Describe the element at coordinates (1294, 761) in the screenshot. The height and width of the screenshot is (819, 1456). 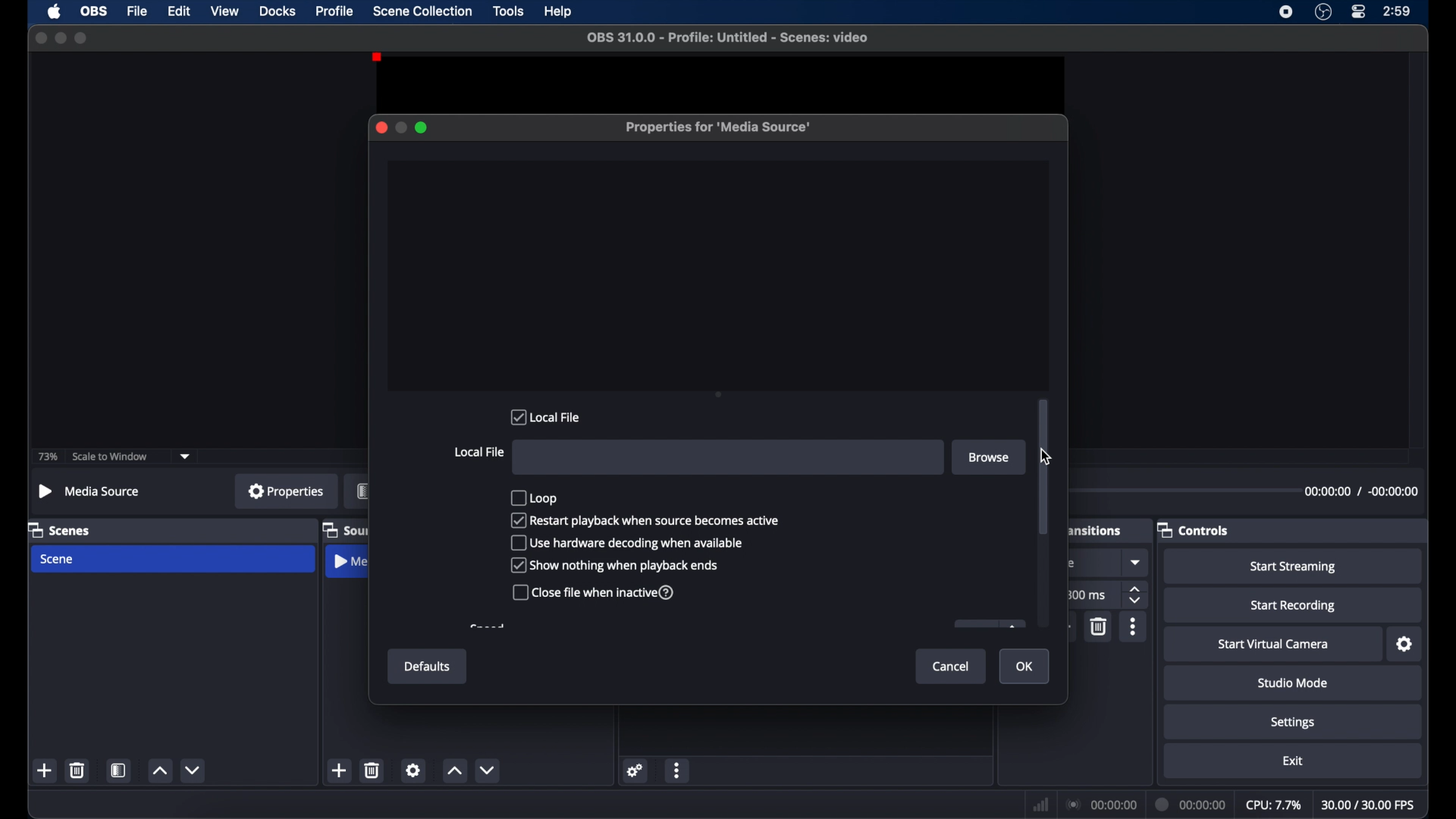
I see `exit` at that location.